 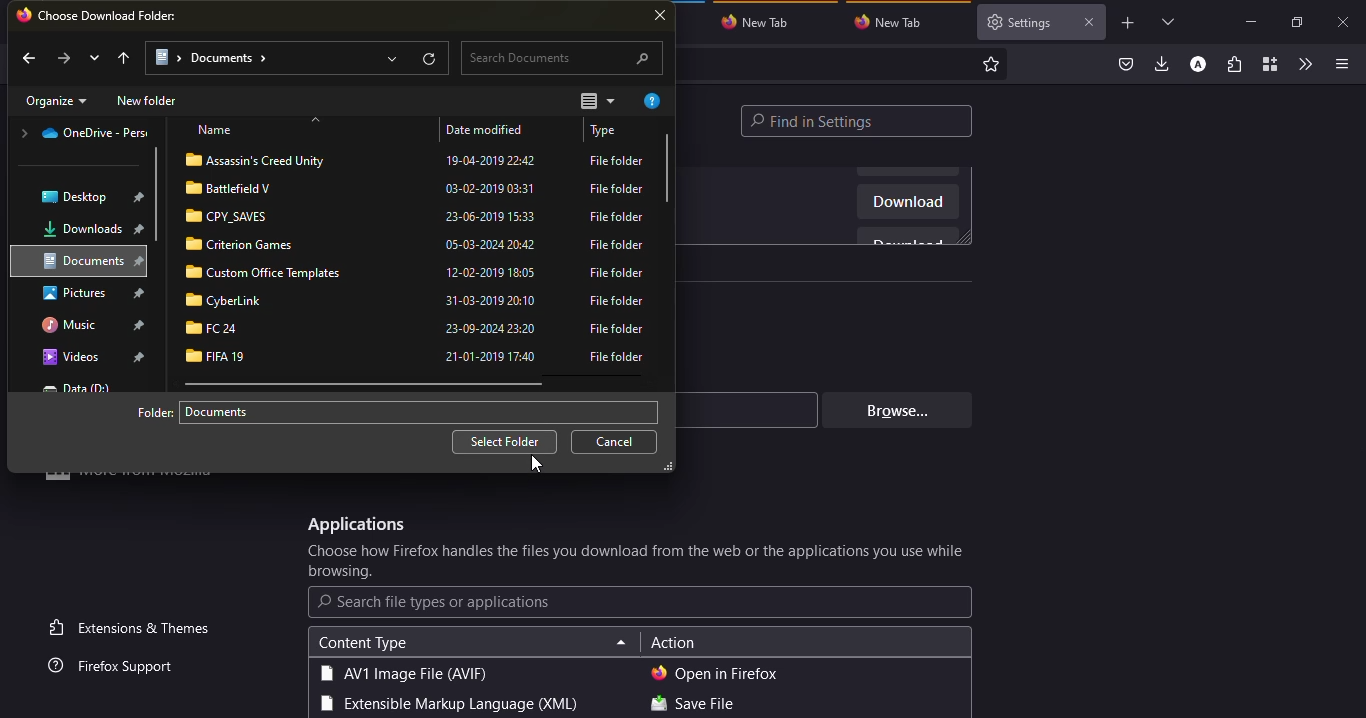 I want to click on refresh, so click(x=431, y=58).